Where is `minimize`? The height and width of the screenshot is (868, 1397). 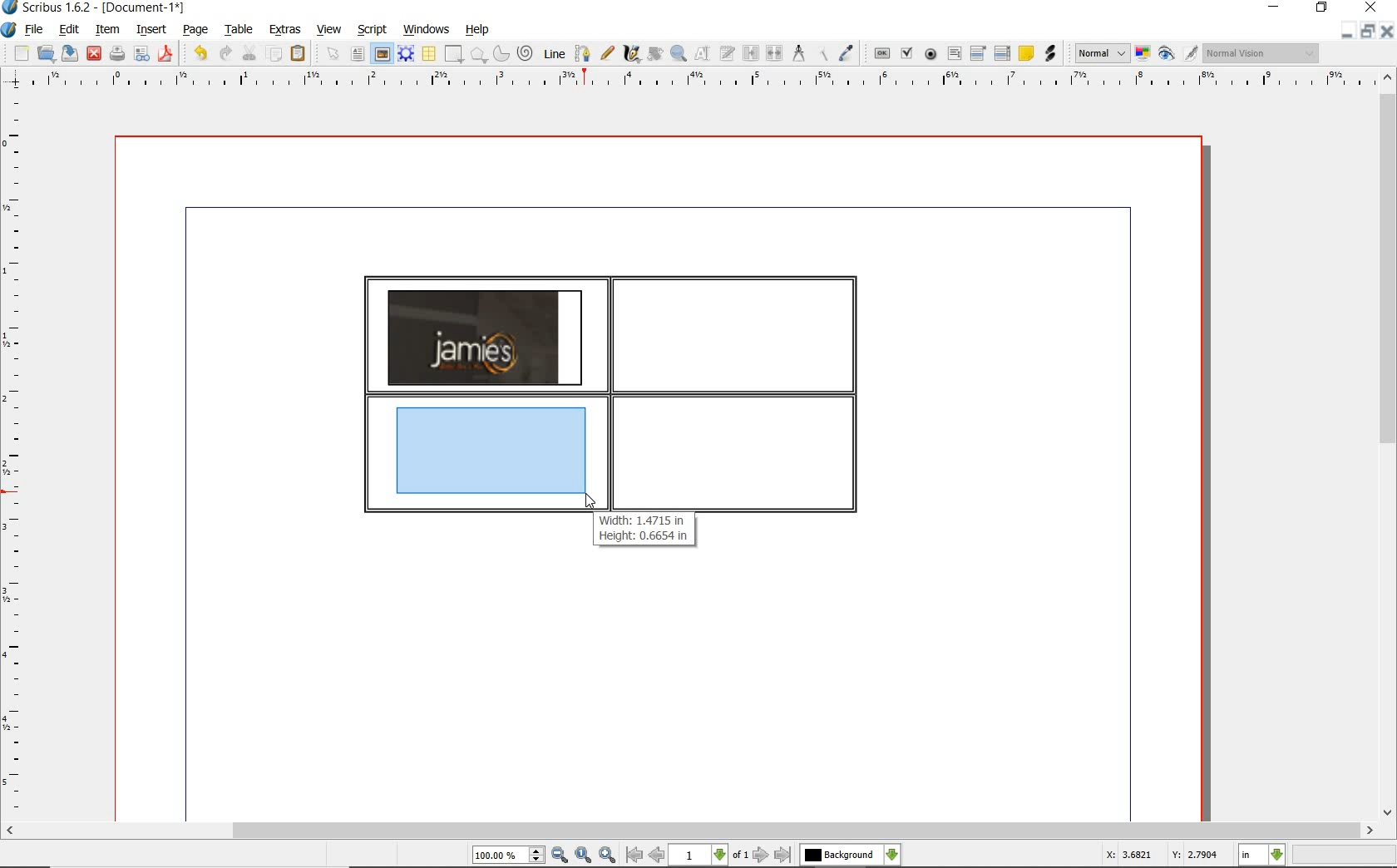 minimize is located at coordinates (1345, 32).